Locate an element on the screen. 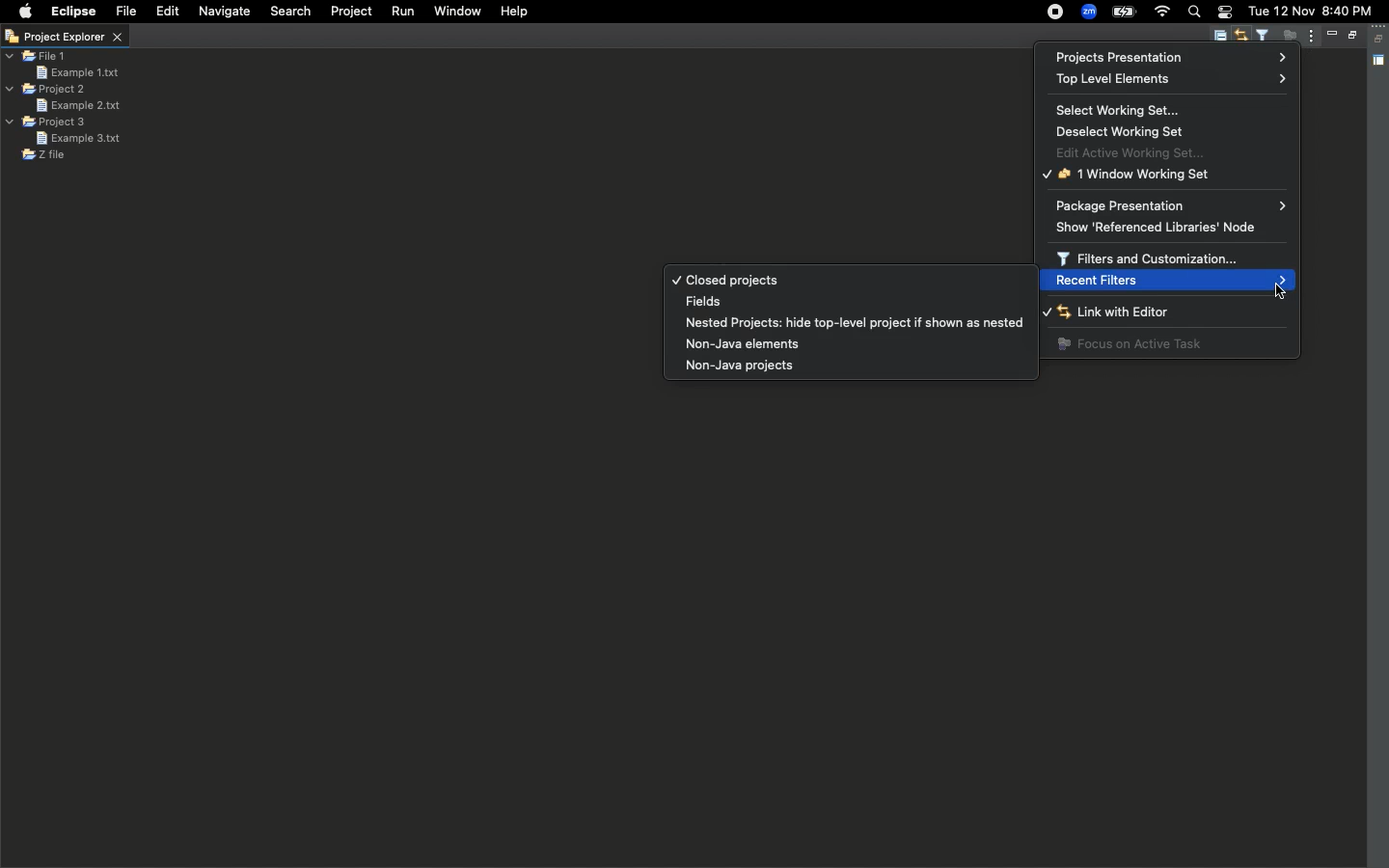  Focus on active task is located at coordinates (1287, 37).